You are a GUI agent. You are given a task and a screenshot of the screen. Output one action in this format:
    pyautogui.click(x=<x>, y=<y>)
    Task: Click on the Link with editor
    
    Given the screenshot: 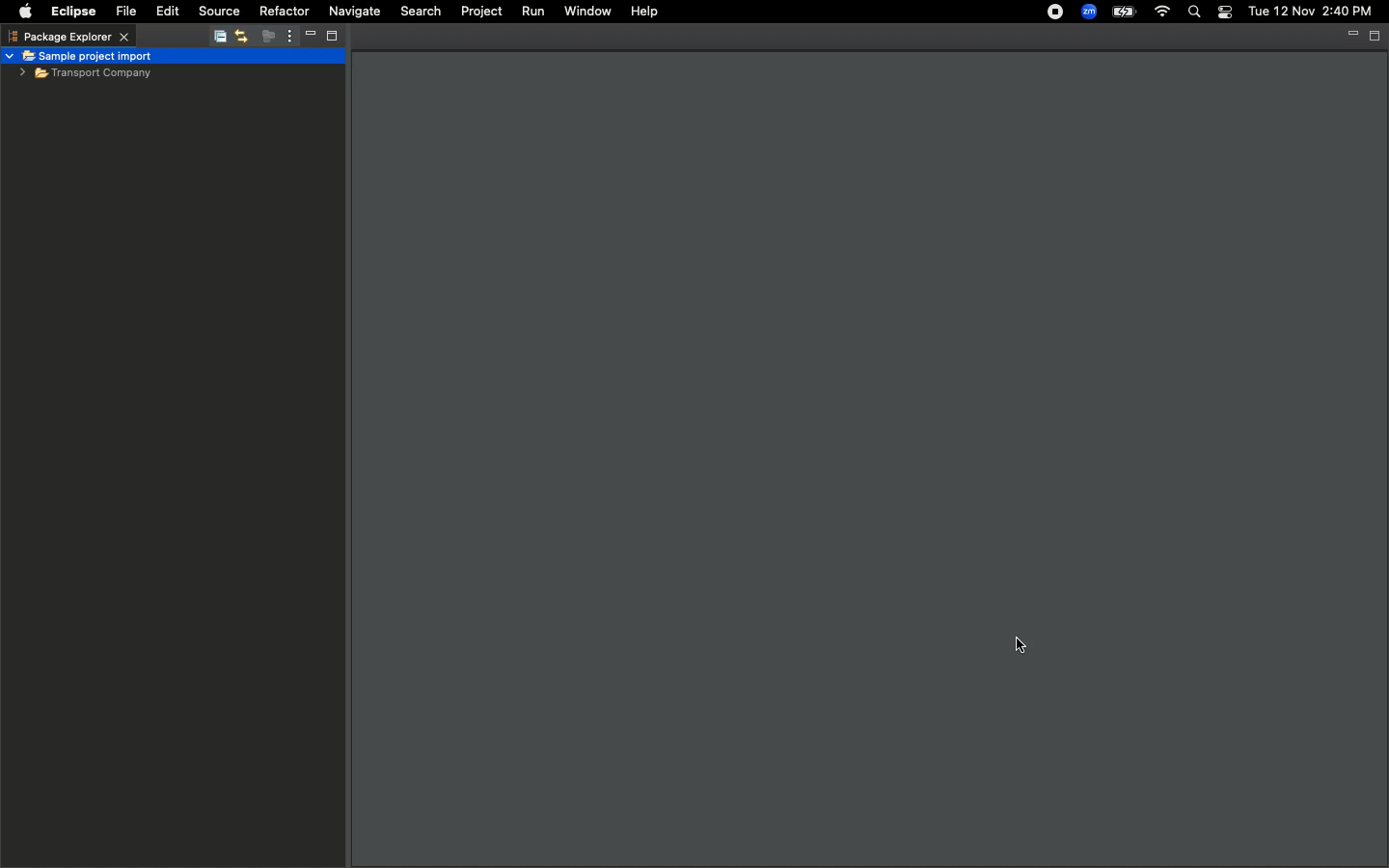 What is the action you would take?
    pyautogui.click(x=240, y=38)
    